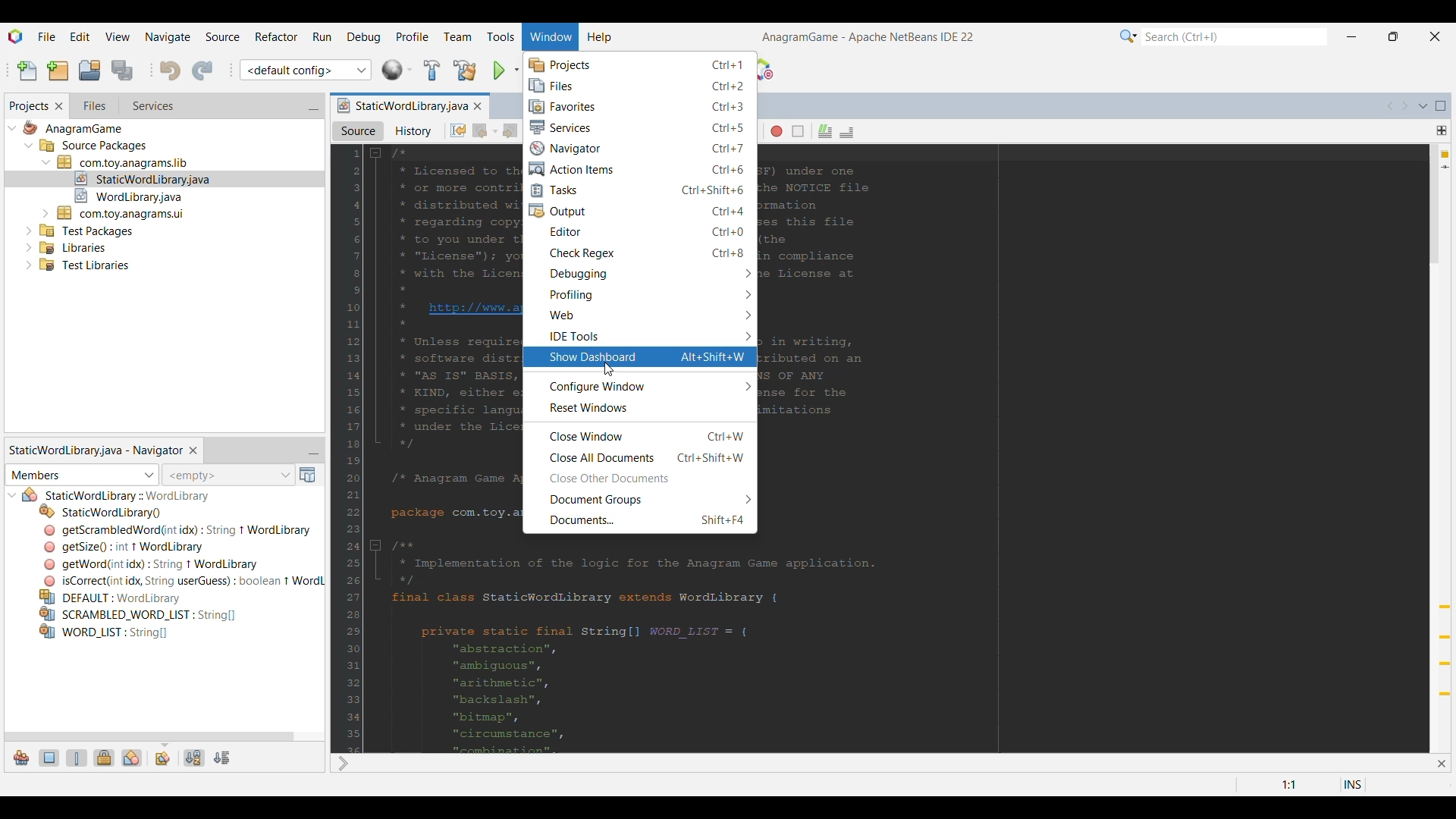  What do you see at coordinates (123, 212) in the screenshot?
I see `` at bounding box center [123, 212].